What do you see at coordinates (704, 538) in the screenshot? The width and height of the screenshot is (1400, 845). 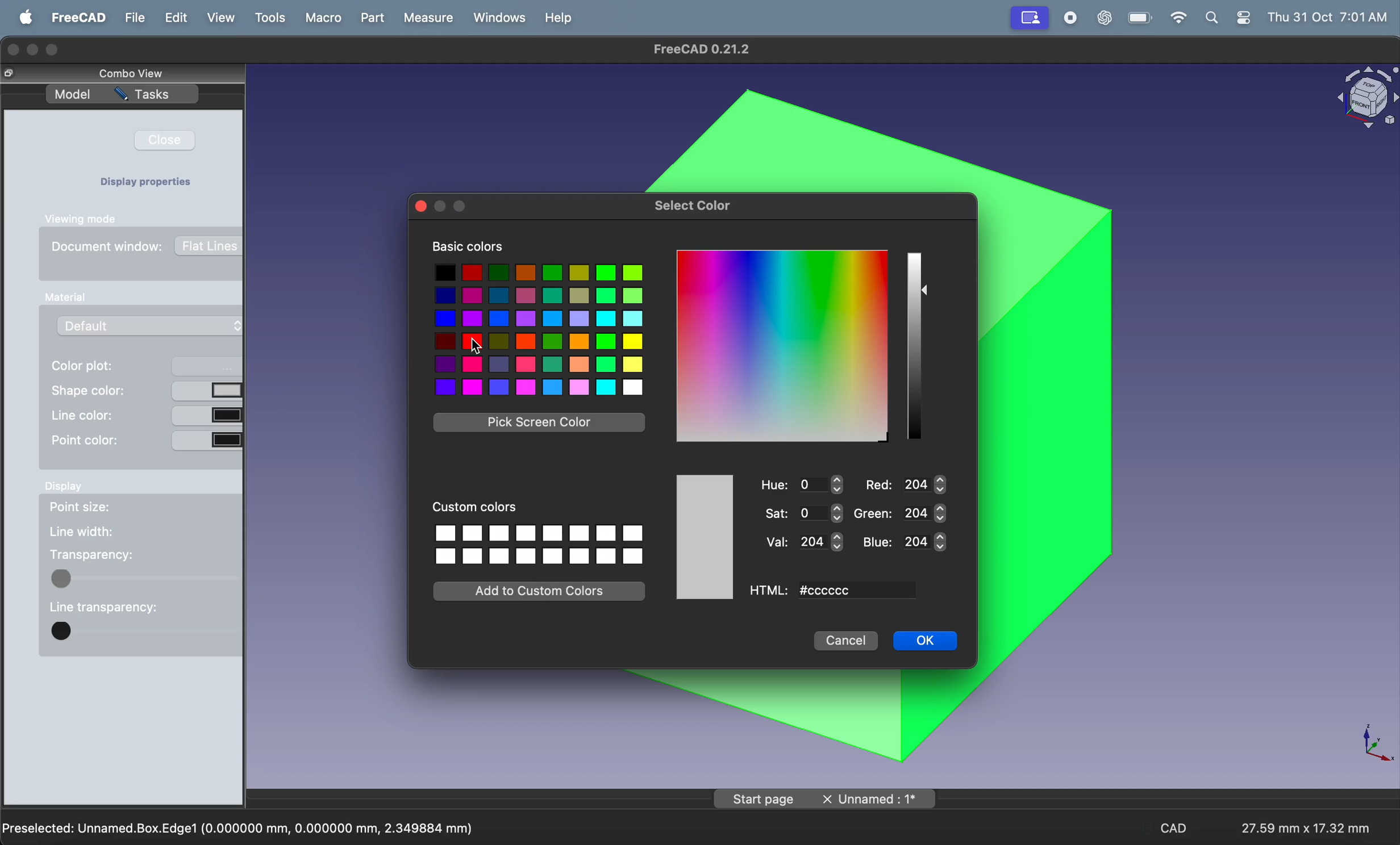 I see `selected color` at bounding box center [704, 538].